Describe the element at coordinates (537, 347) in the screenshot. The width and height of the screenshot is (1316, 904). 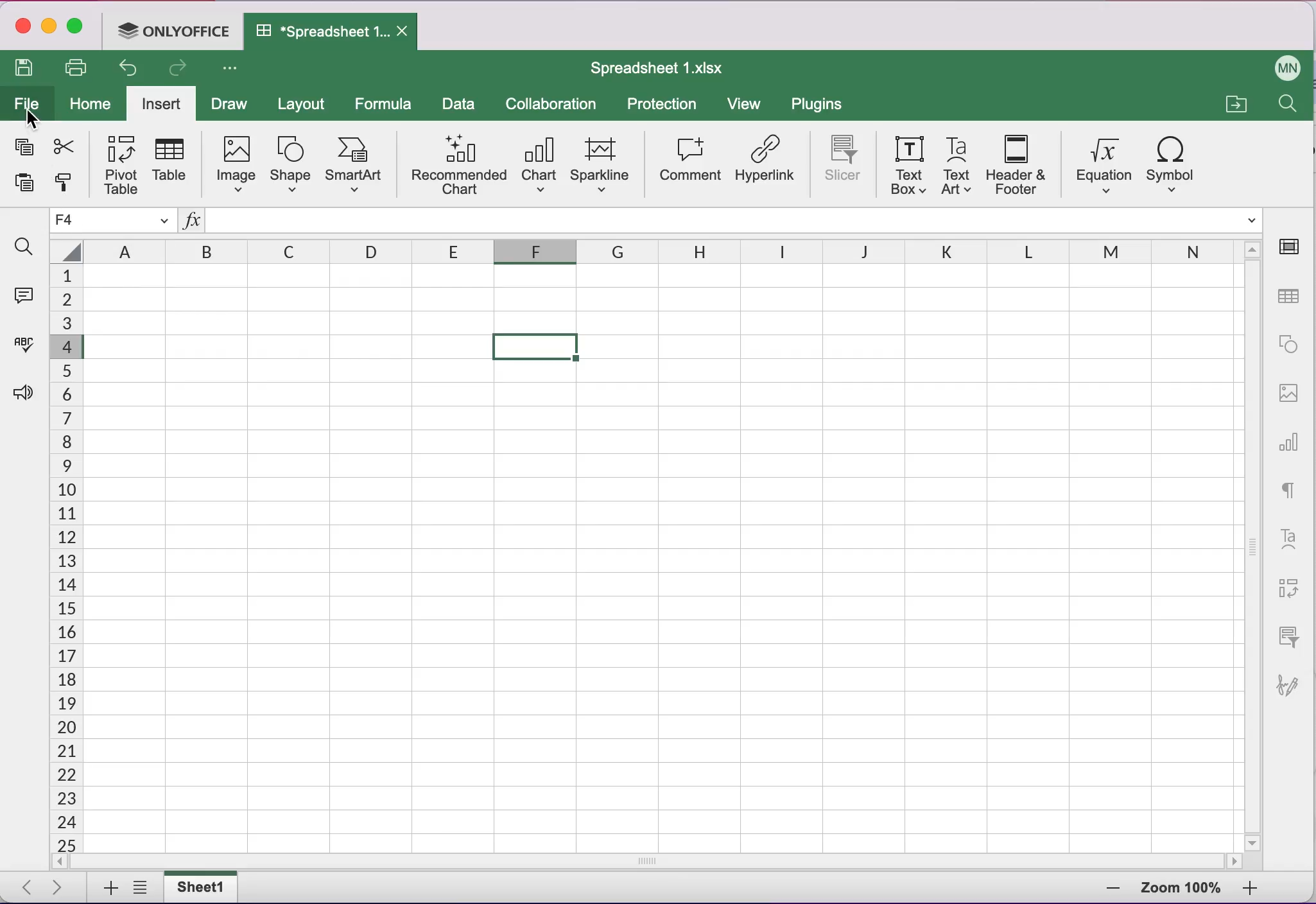
I see `cell selected` at that location.